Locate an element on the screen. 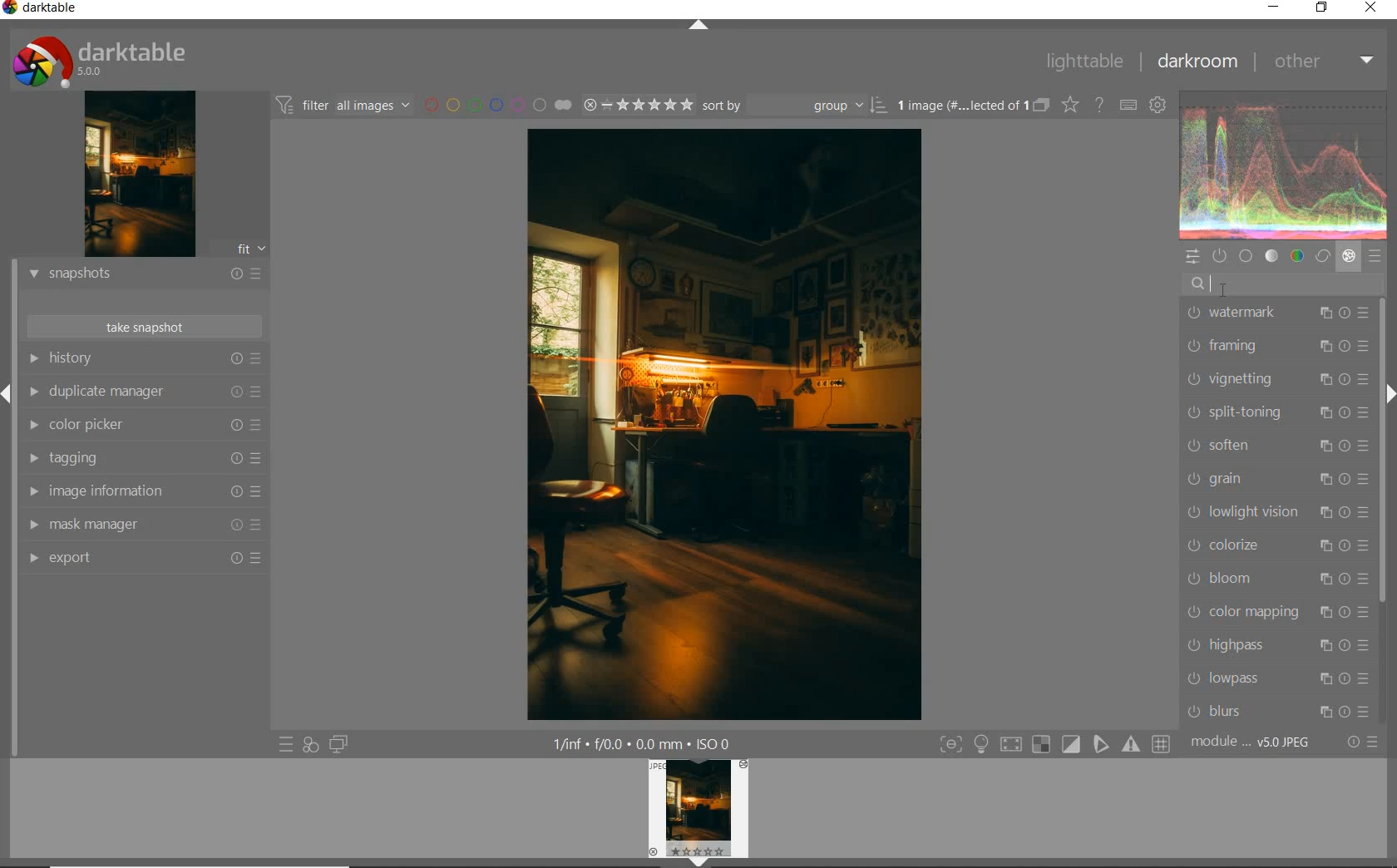 This screenshot has width=1397, height=868. display a second darkroom image below is located at coordinates (338, 742).